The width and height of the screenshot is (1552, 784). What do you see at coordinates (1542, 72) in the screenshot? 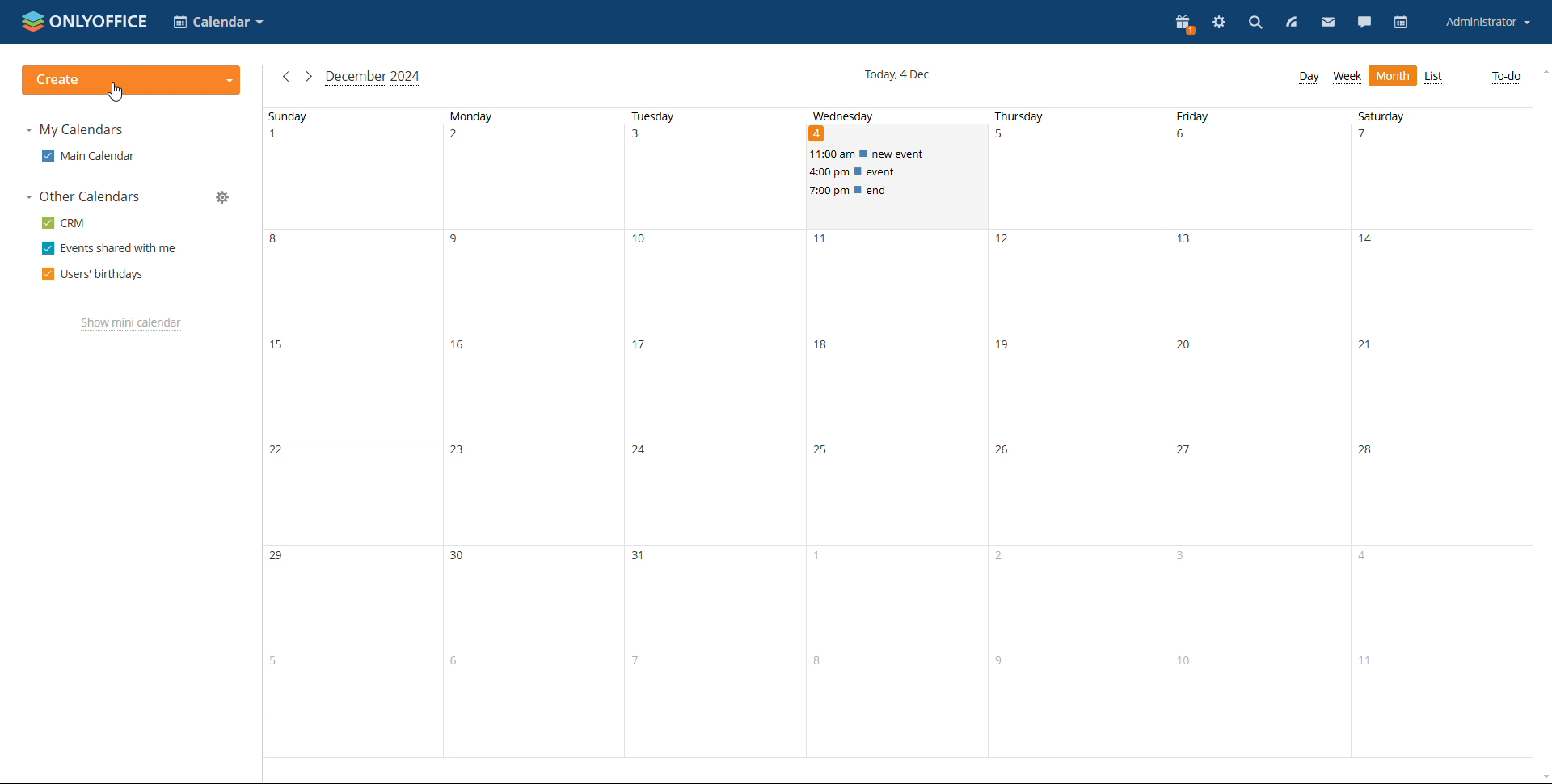
I see `scroll up` at bounding box center [1542, 72].